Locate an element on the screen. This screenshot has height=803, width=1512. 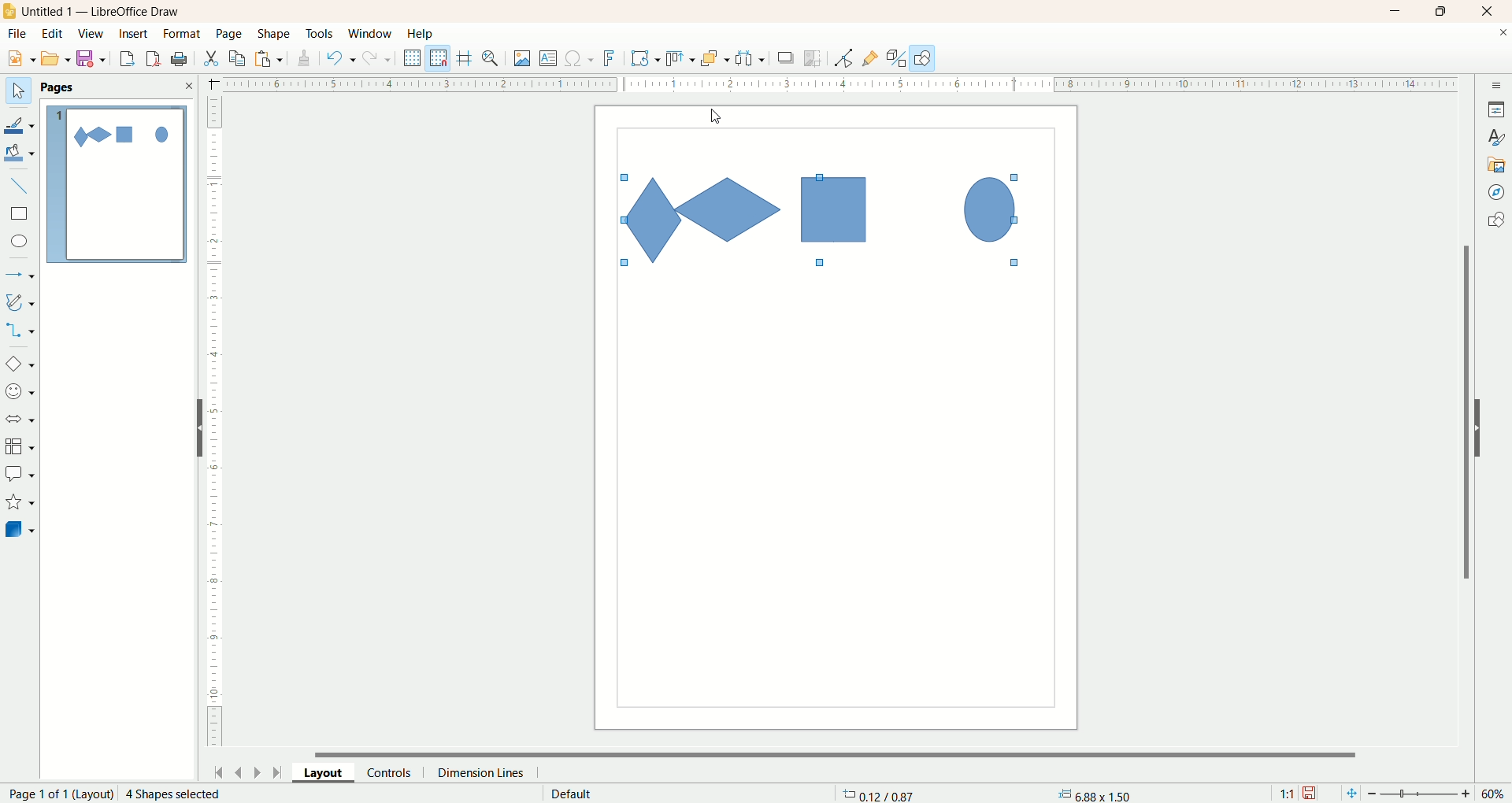
save is located at coordinates (94, 59).